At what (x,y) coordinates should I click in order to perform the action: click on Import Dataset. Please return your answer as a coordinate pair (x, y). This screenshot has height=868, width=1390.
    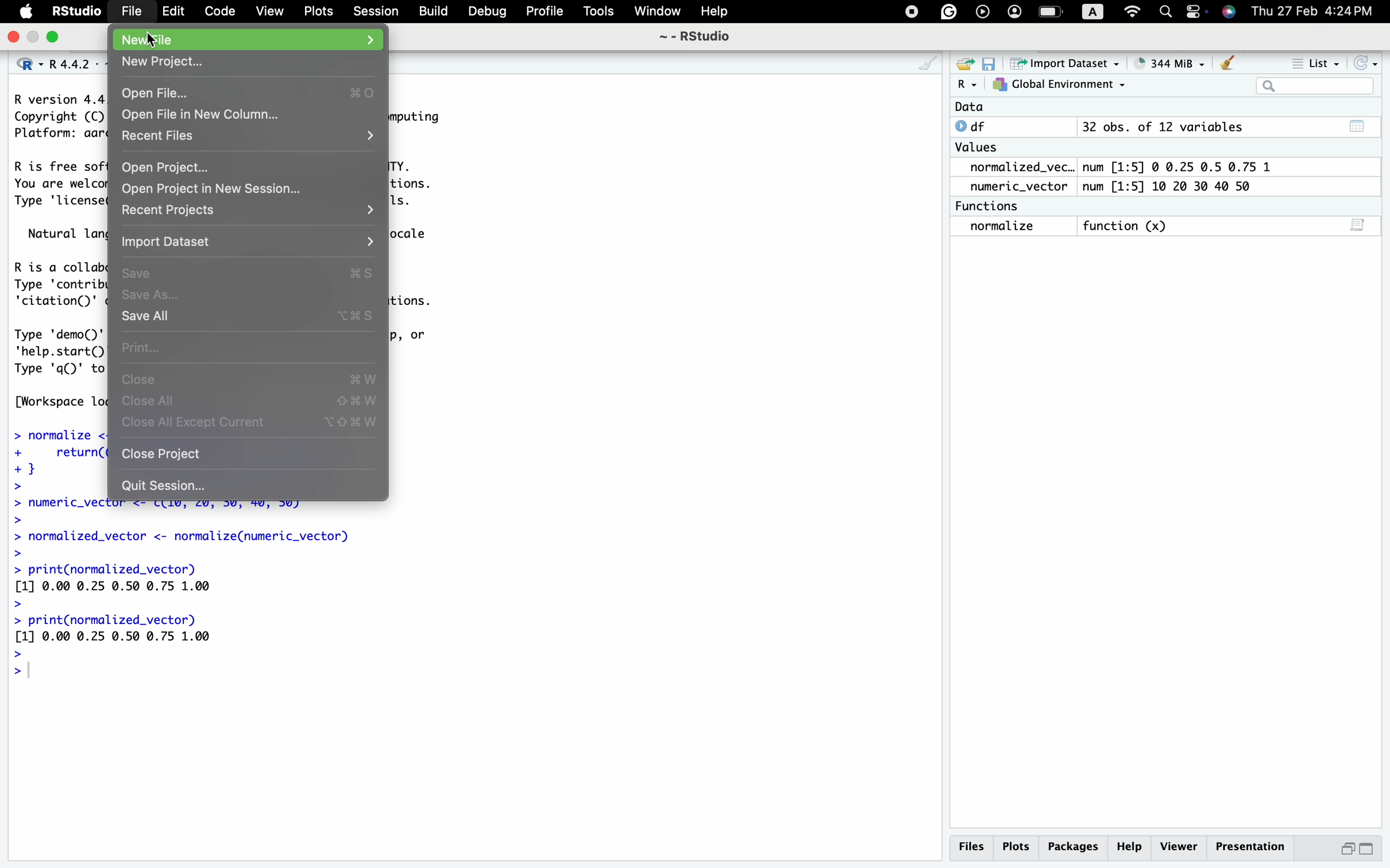
    Looking at the image, I should click on (1061, 63).